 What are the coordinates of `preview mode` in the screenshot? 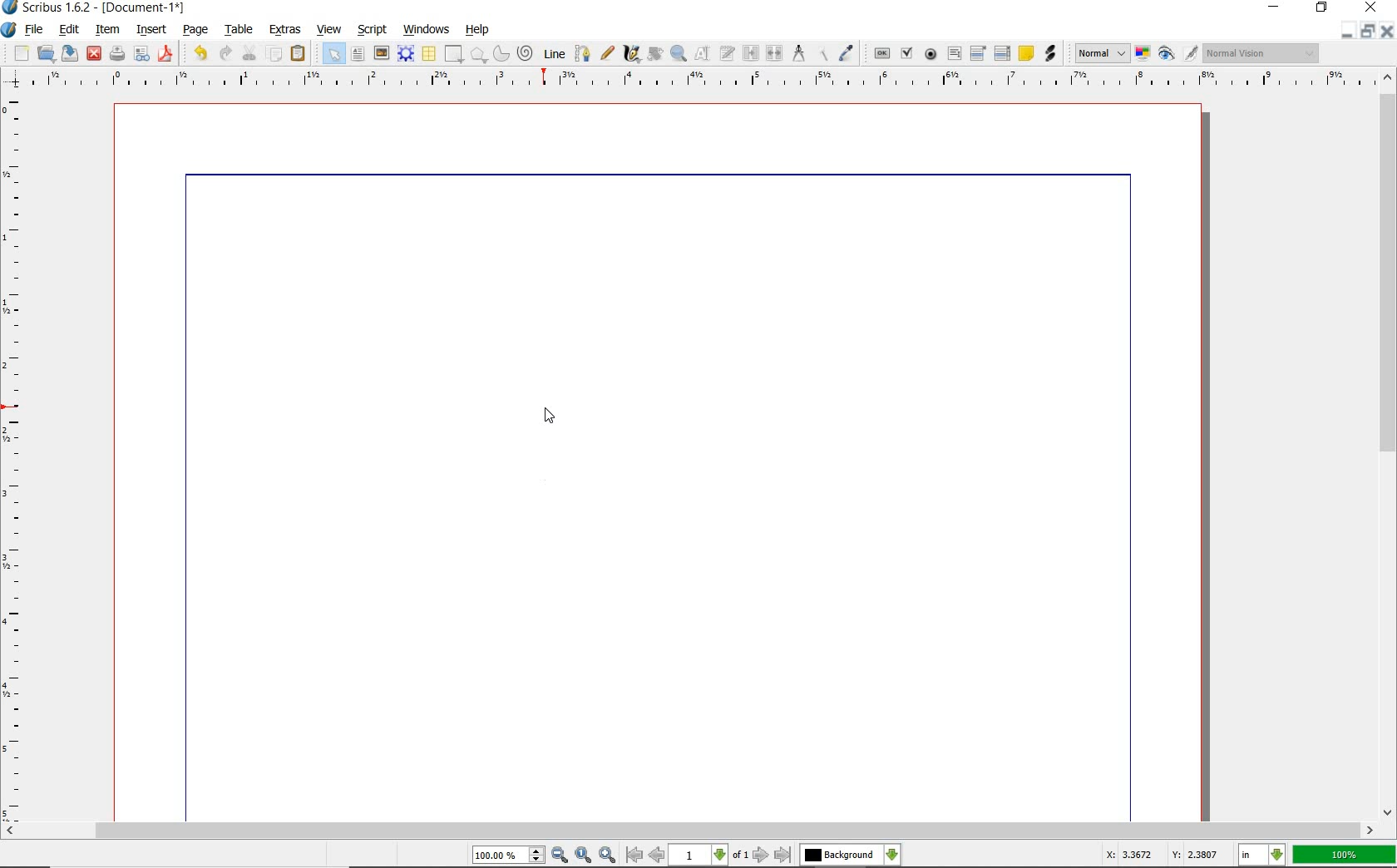 It's located at (1177, 52).